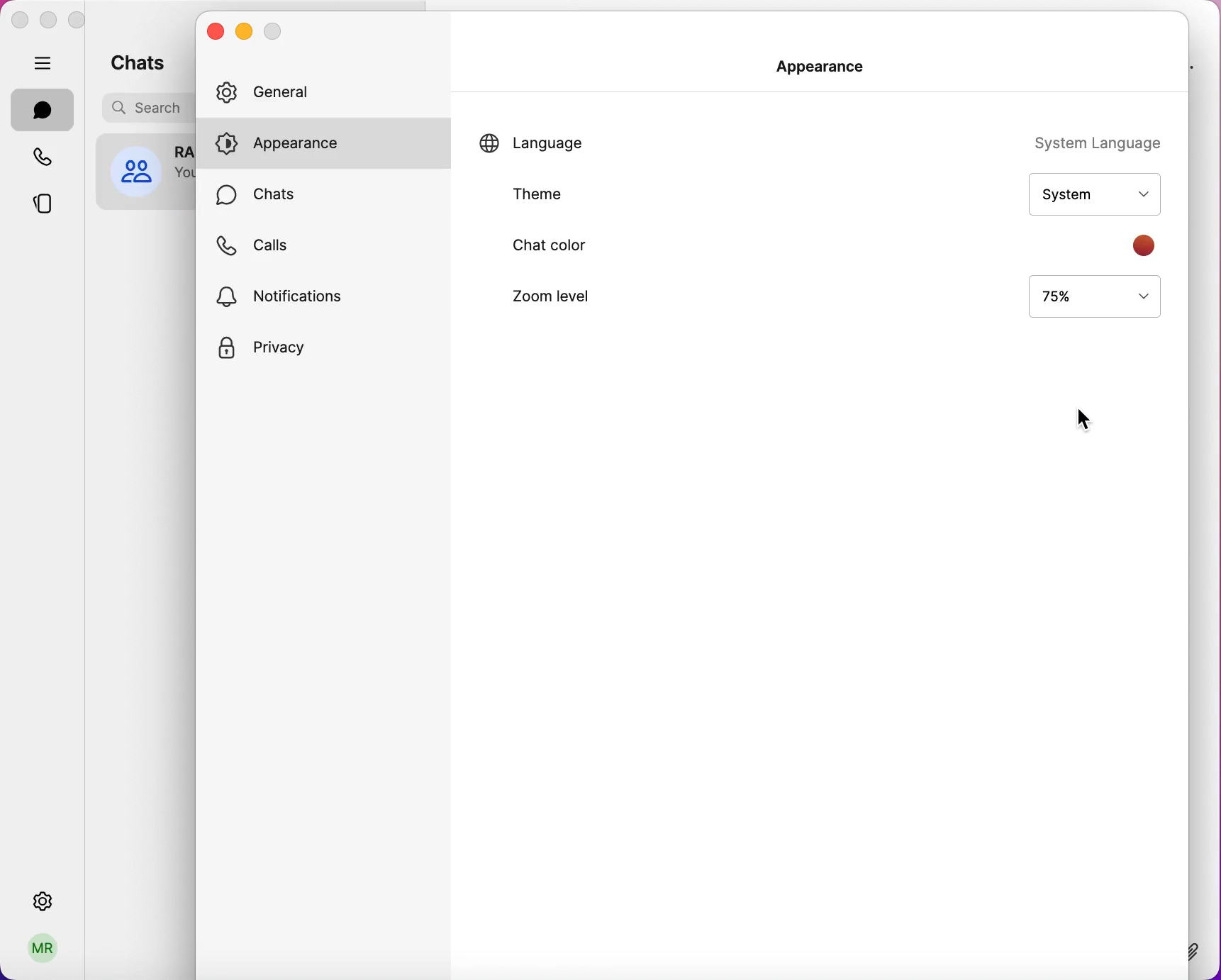 The height and width of the screenshot is (980, 1221). I want to click on profile picture, so click(43, 950).